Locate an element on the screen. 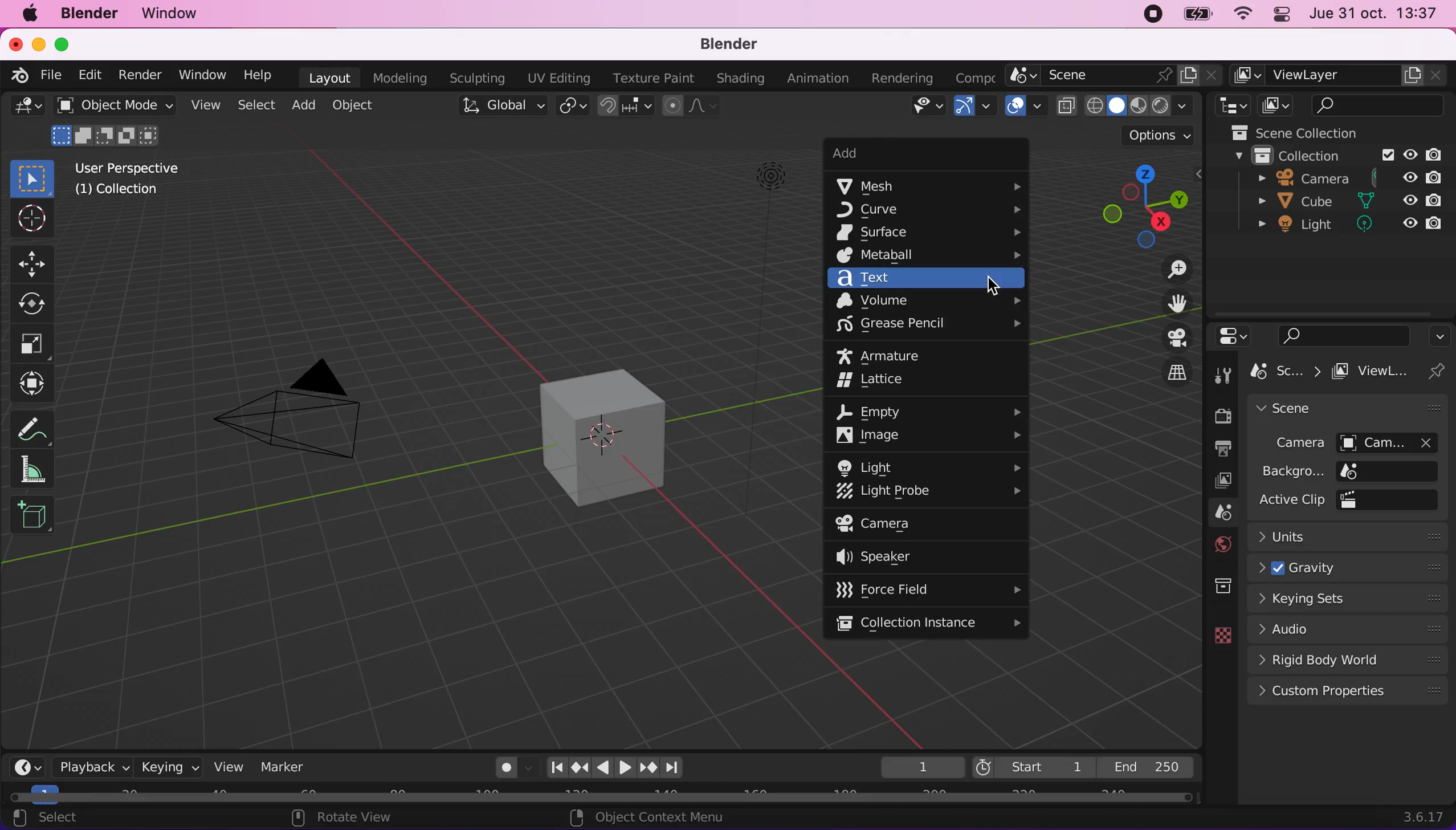 Image resolution: width=1456 pixels, height=830 pixels. viewlayer is located at coordinates (1341, 76).